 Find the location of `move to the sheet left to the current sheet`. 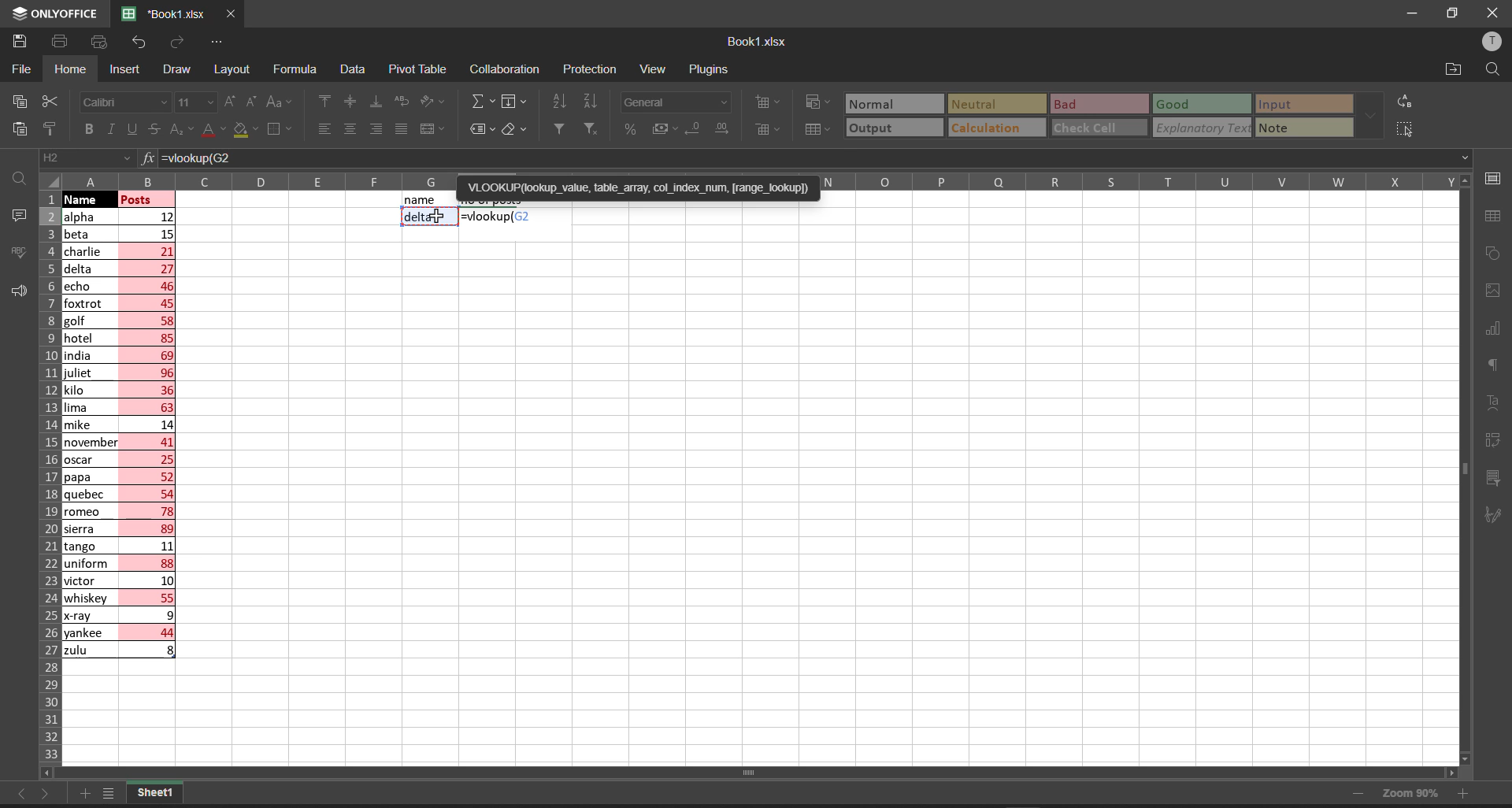

move to the sheet left to the current sheet is located at coordinates (18, 794).